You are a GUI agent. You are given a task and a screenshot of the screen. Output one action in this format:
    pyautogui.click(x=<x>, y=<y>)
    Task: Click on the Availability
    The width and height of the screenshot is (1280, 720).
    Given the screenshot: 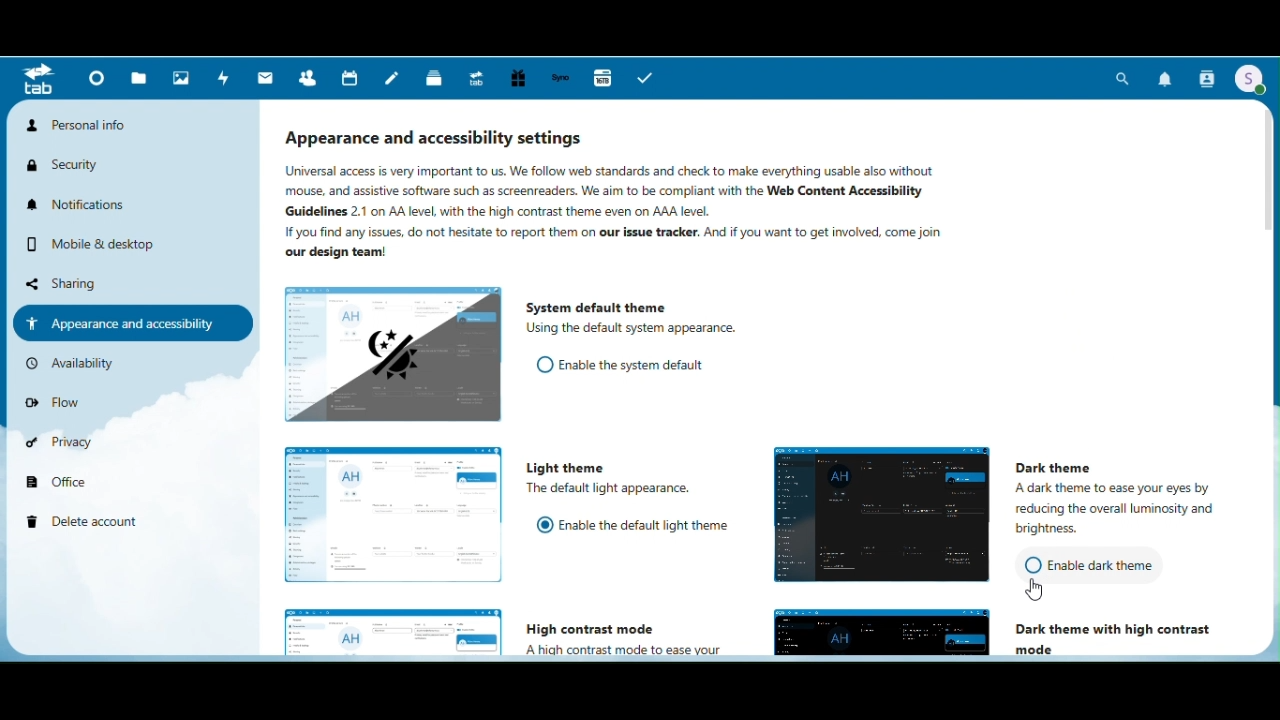 What is the action you would take?
    pyautogui.click(x=78, y=364)
    